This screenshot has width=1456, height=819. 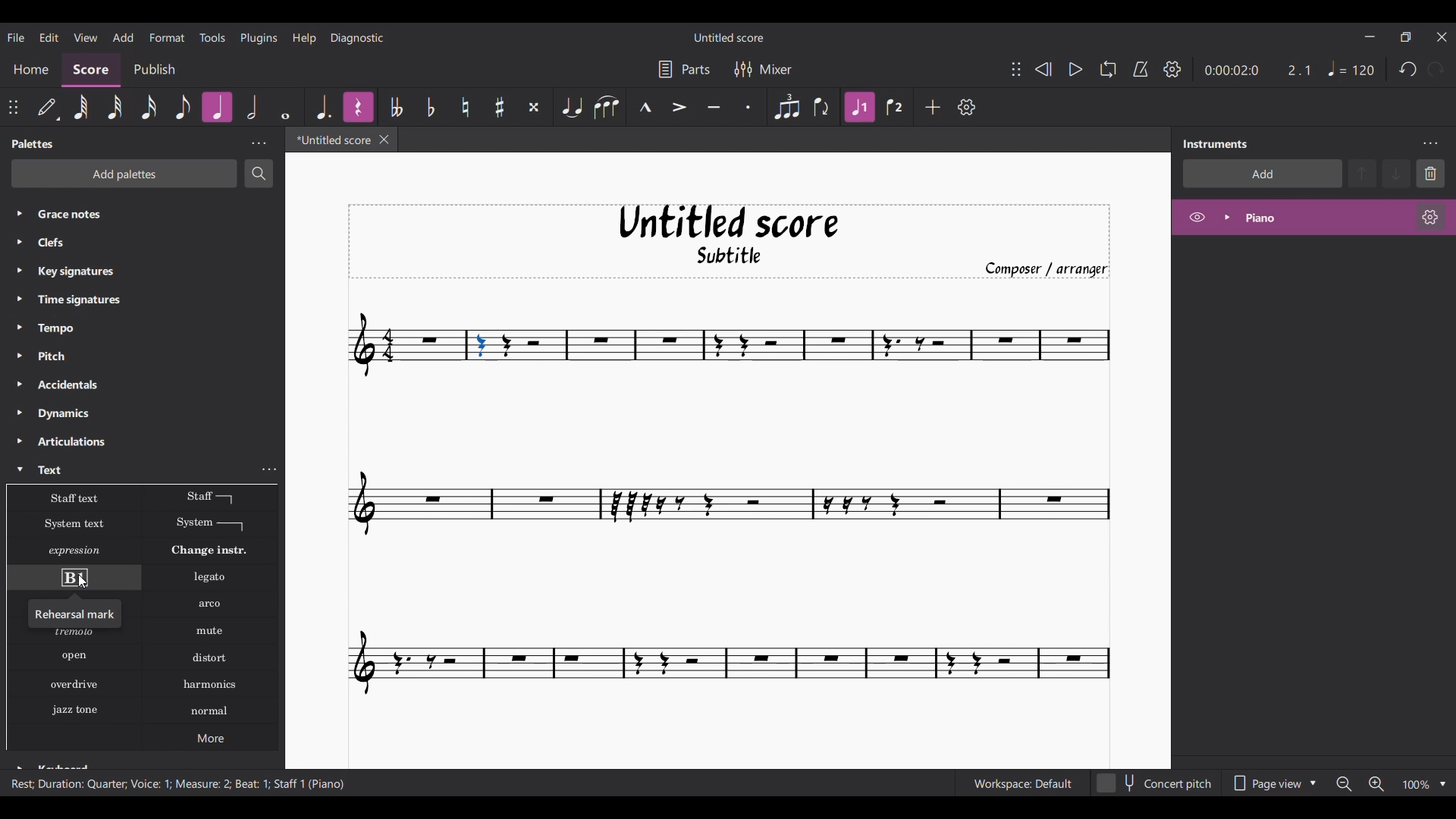 What do you see at coordinates (894, 107) in the screenshot?
I see `Voice 2` at bounding box center [894, 107].